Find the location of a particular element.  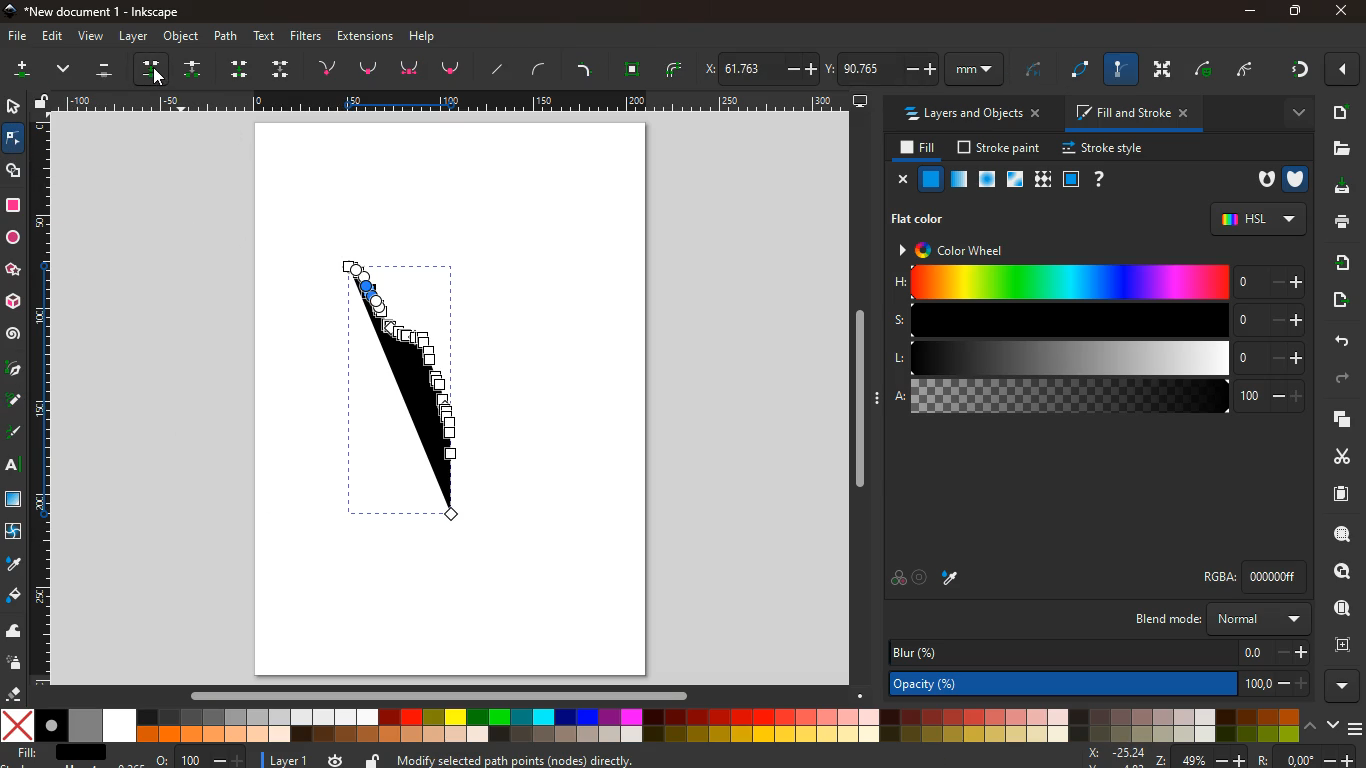

extensions is located at coordinates (365, 35).